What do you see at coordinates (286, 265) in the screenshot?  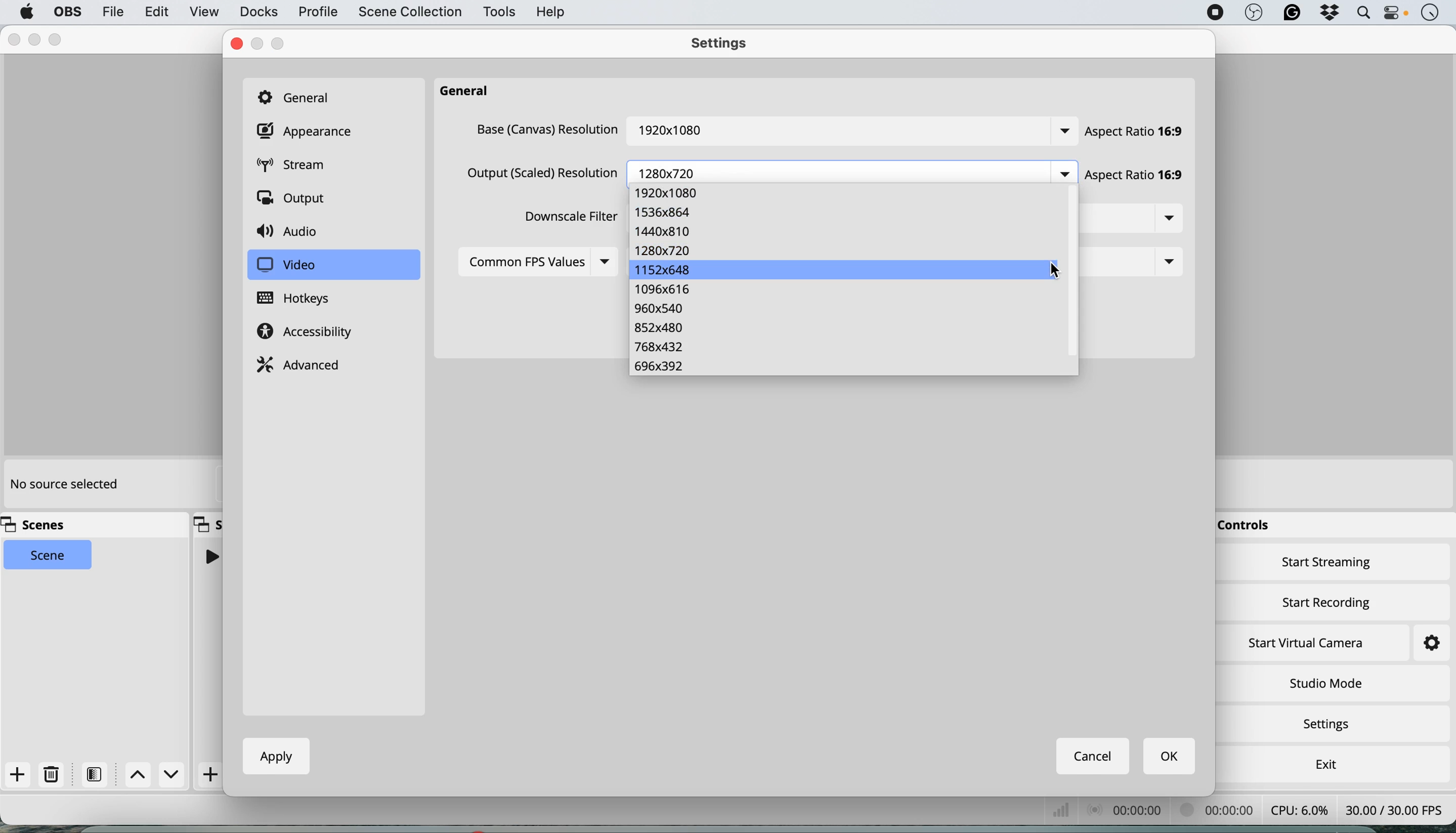 I see `video` at bounding box center [286, 265].